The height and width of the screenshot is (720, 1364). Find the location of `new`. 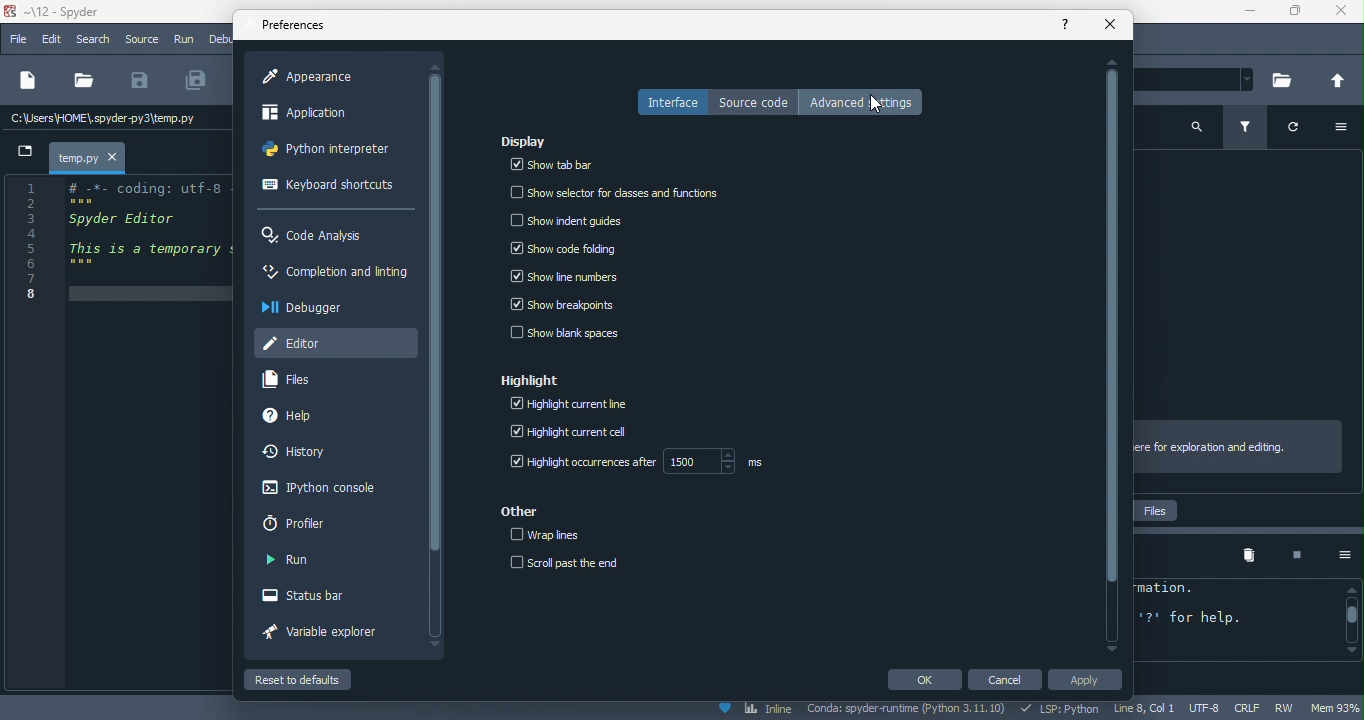

new is located at coordinates (26, 82).